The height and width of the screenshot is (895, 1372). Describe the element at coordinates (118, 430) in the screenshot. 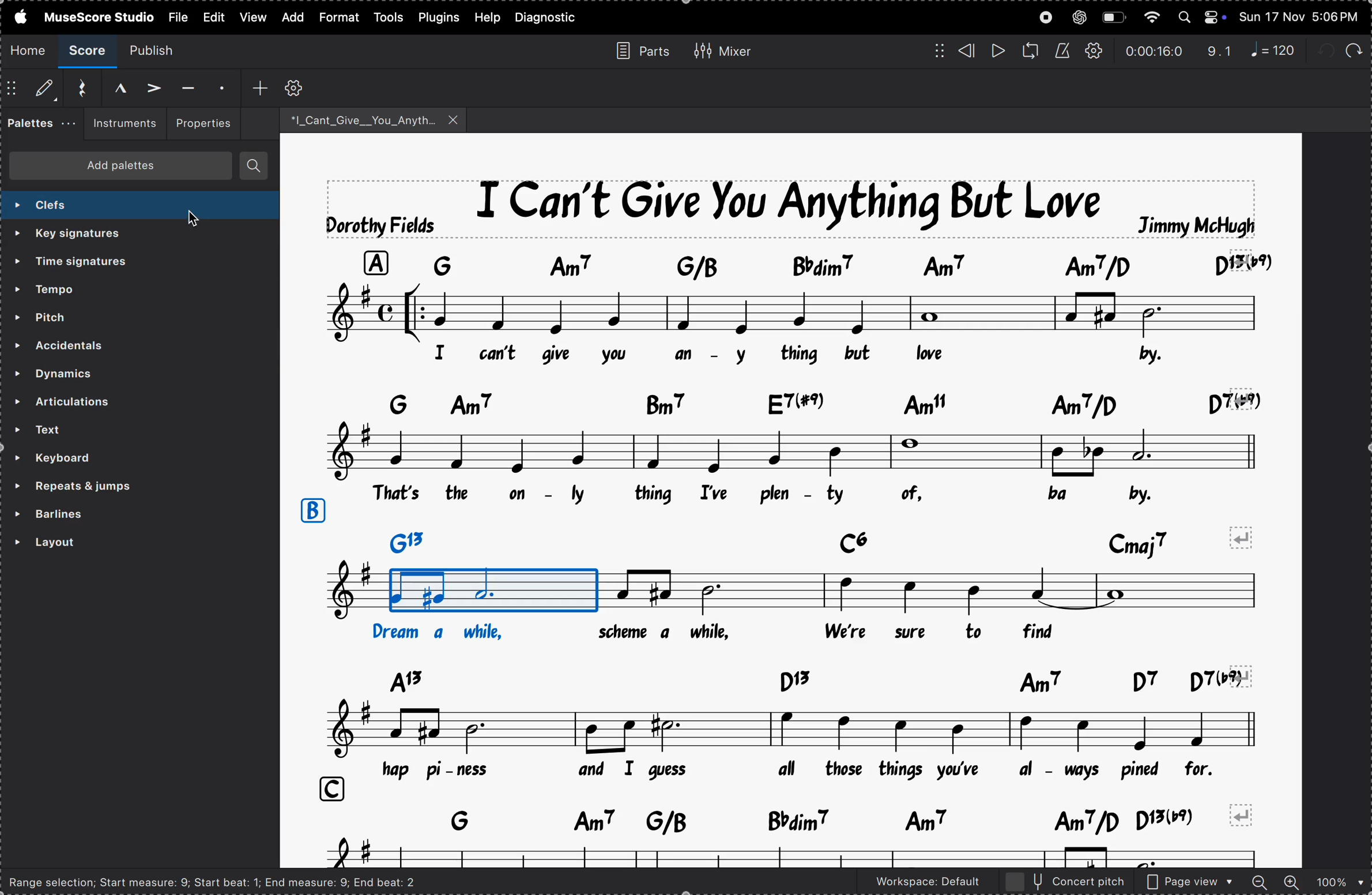

I see `text` at that location.